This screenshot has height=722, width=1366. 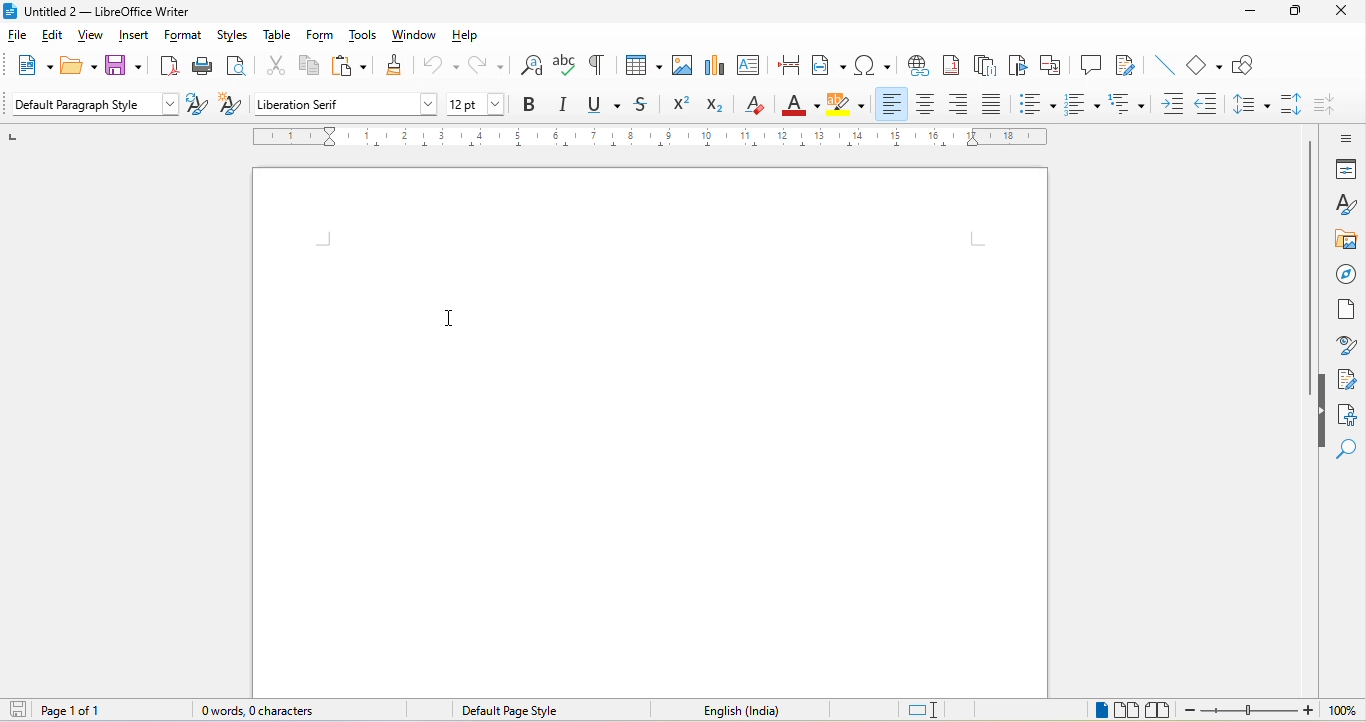 I want to click on bookmark, so click(x=1018, y=68).